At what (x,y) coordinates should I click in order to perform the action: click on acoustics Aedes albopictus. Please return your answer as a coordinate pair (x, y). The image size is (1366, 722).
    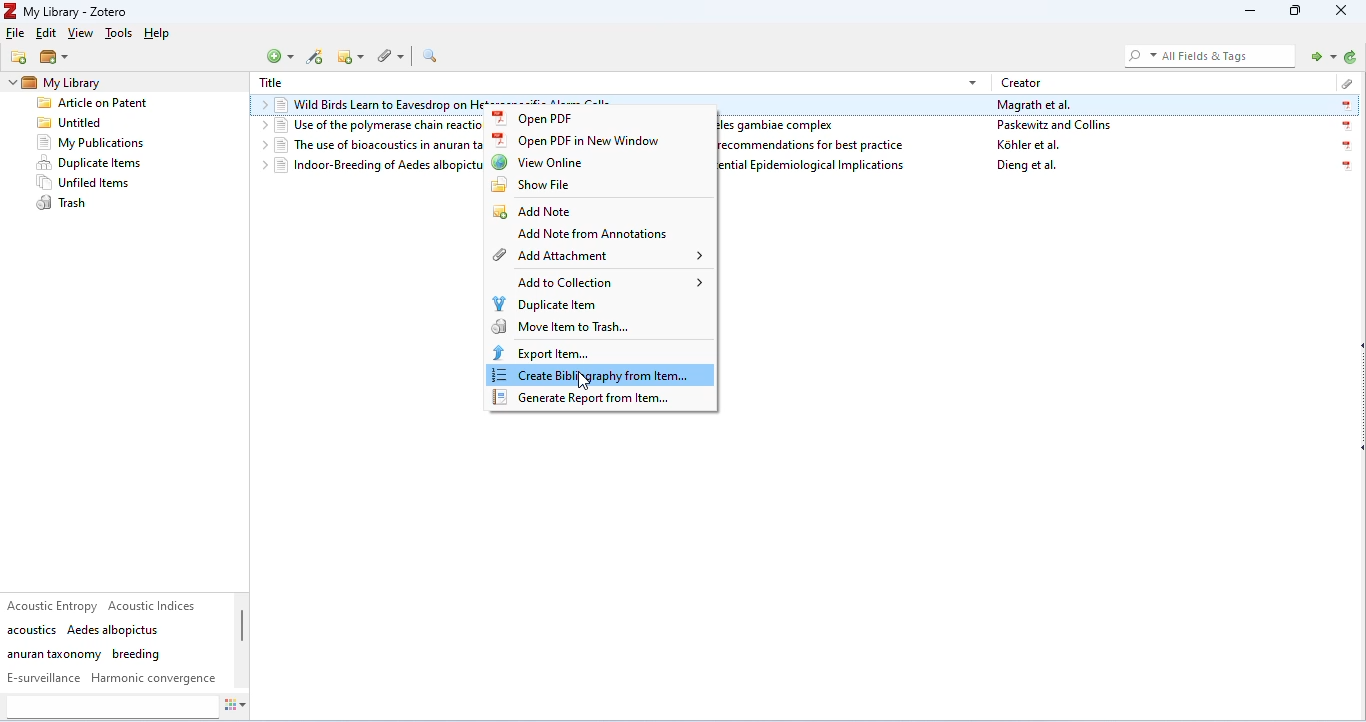
    Looking at the image, I should click on (84, 630).